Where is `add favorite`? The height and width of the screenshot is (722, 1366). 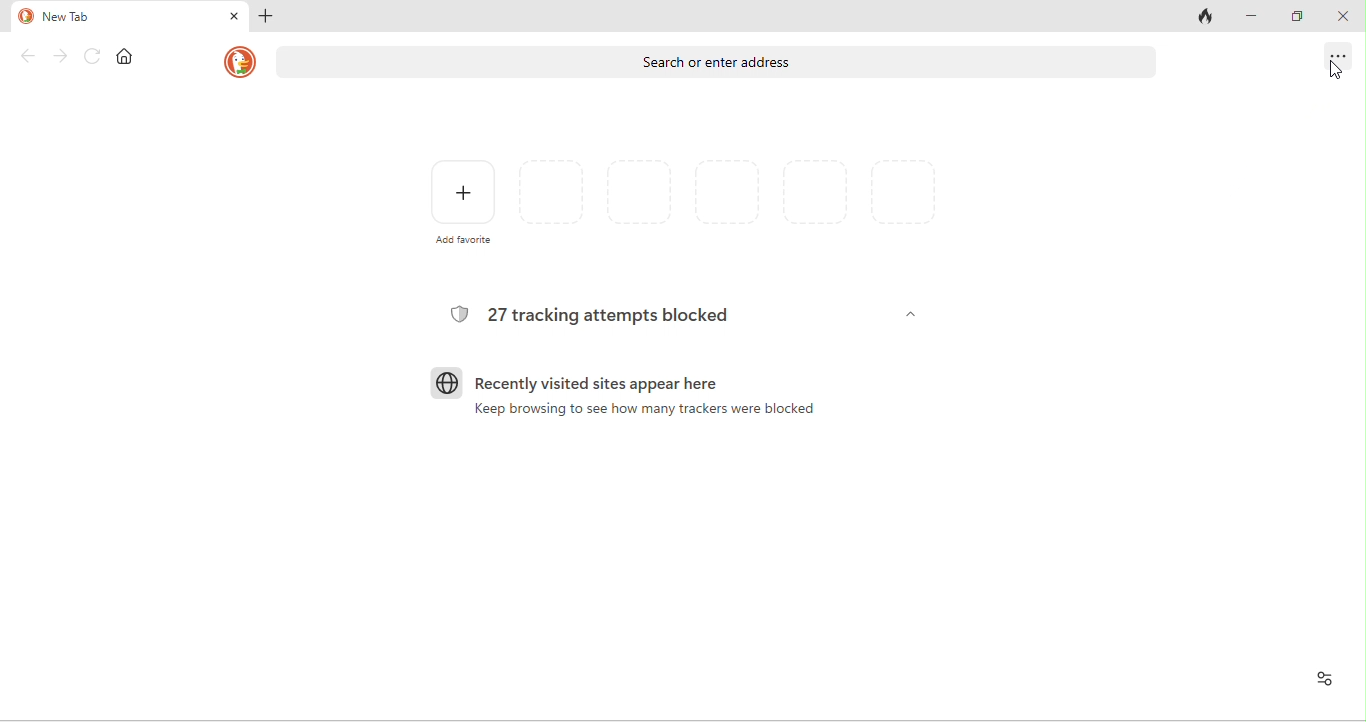
add favorite is located at coordinates (464, 202).